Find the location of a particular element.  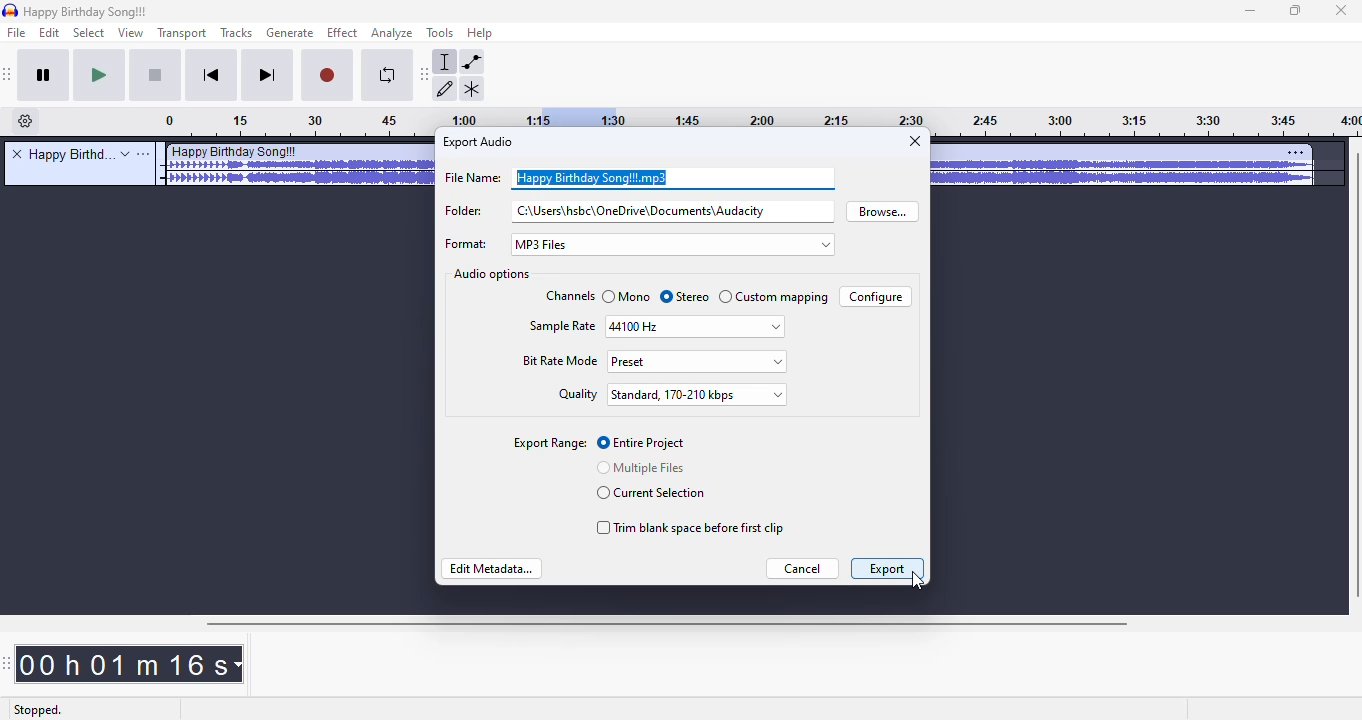

tools is located at coordinates (439, 33).